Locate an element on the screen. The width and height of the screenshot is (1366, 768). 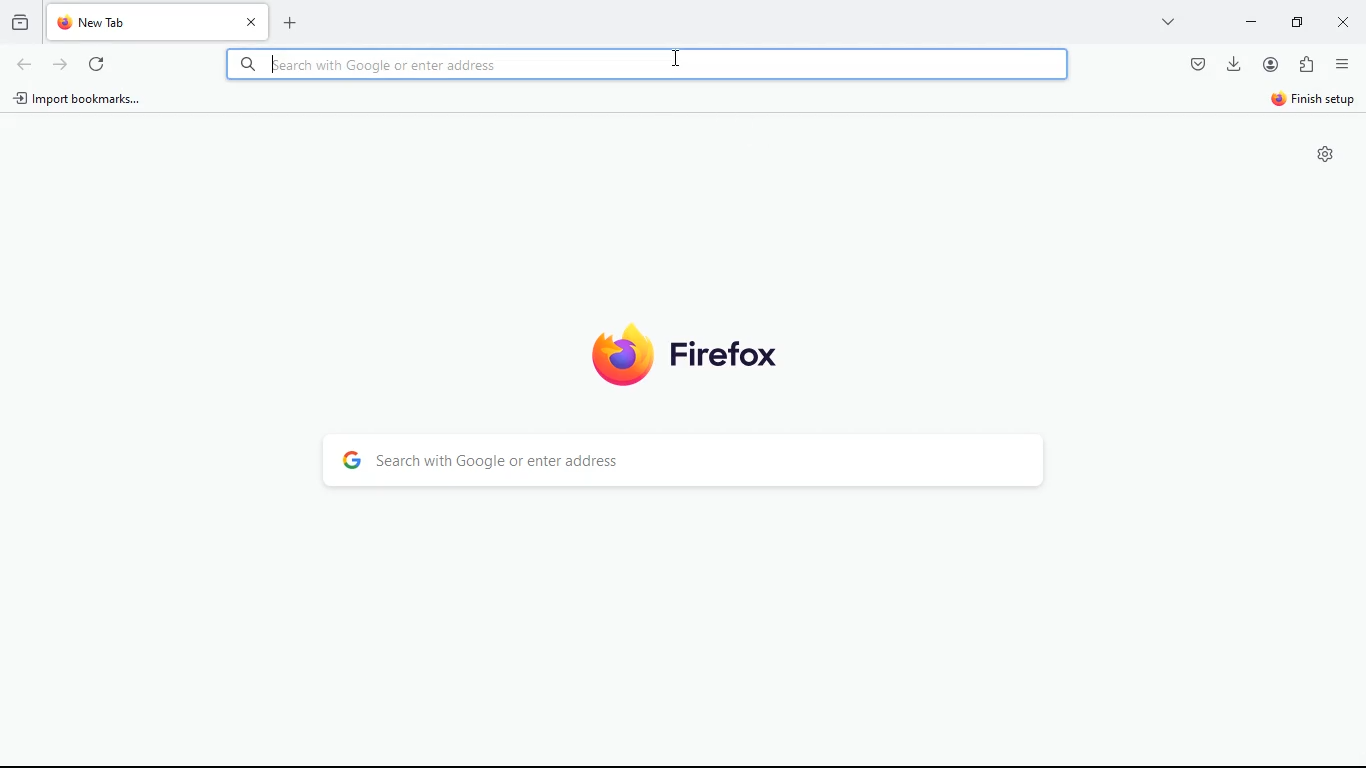
Cursor is located at coordinates (275, 64).